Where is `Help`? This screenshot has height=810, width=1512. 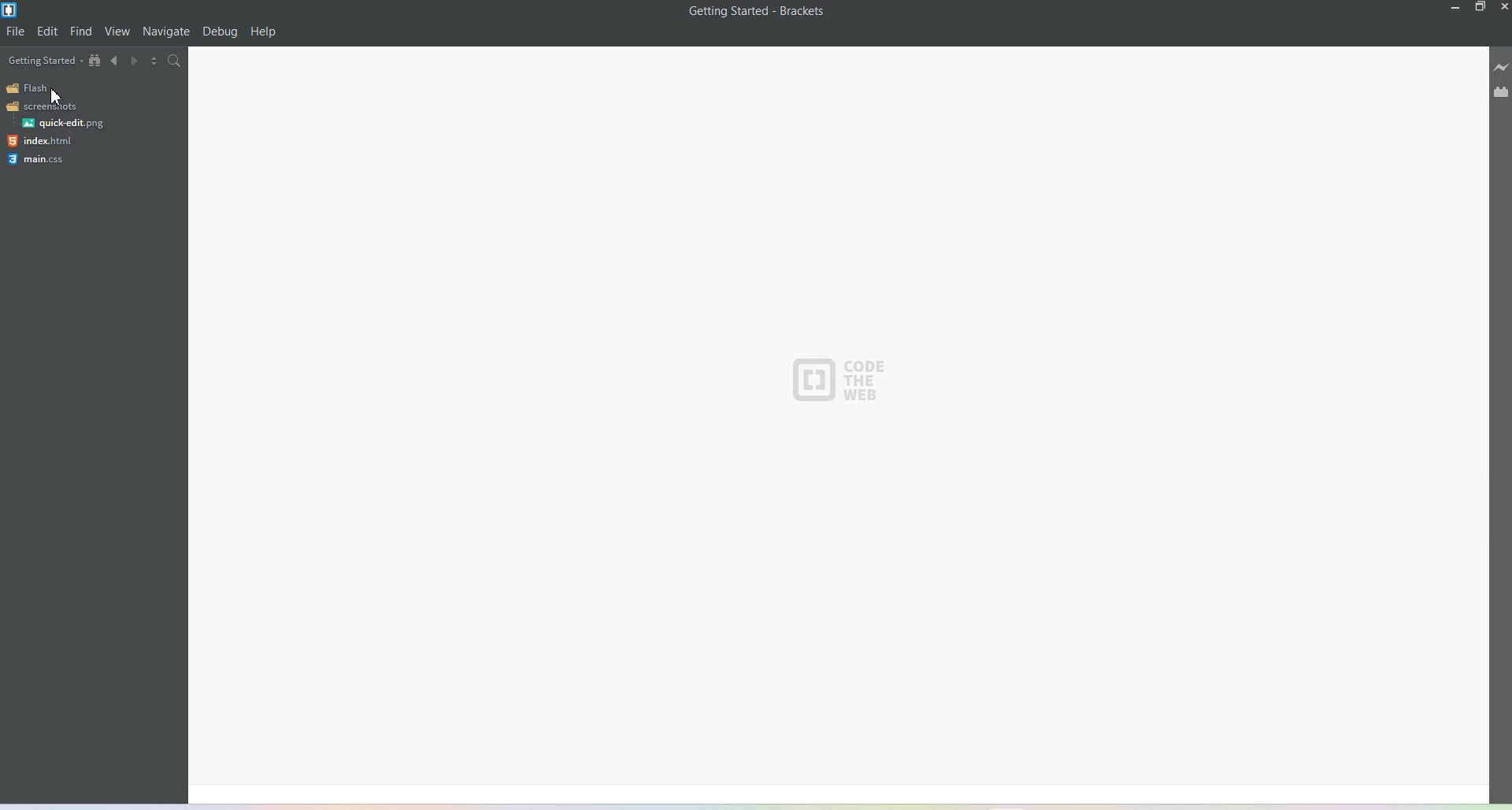
Help is located at coordinates (264, 32).